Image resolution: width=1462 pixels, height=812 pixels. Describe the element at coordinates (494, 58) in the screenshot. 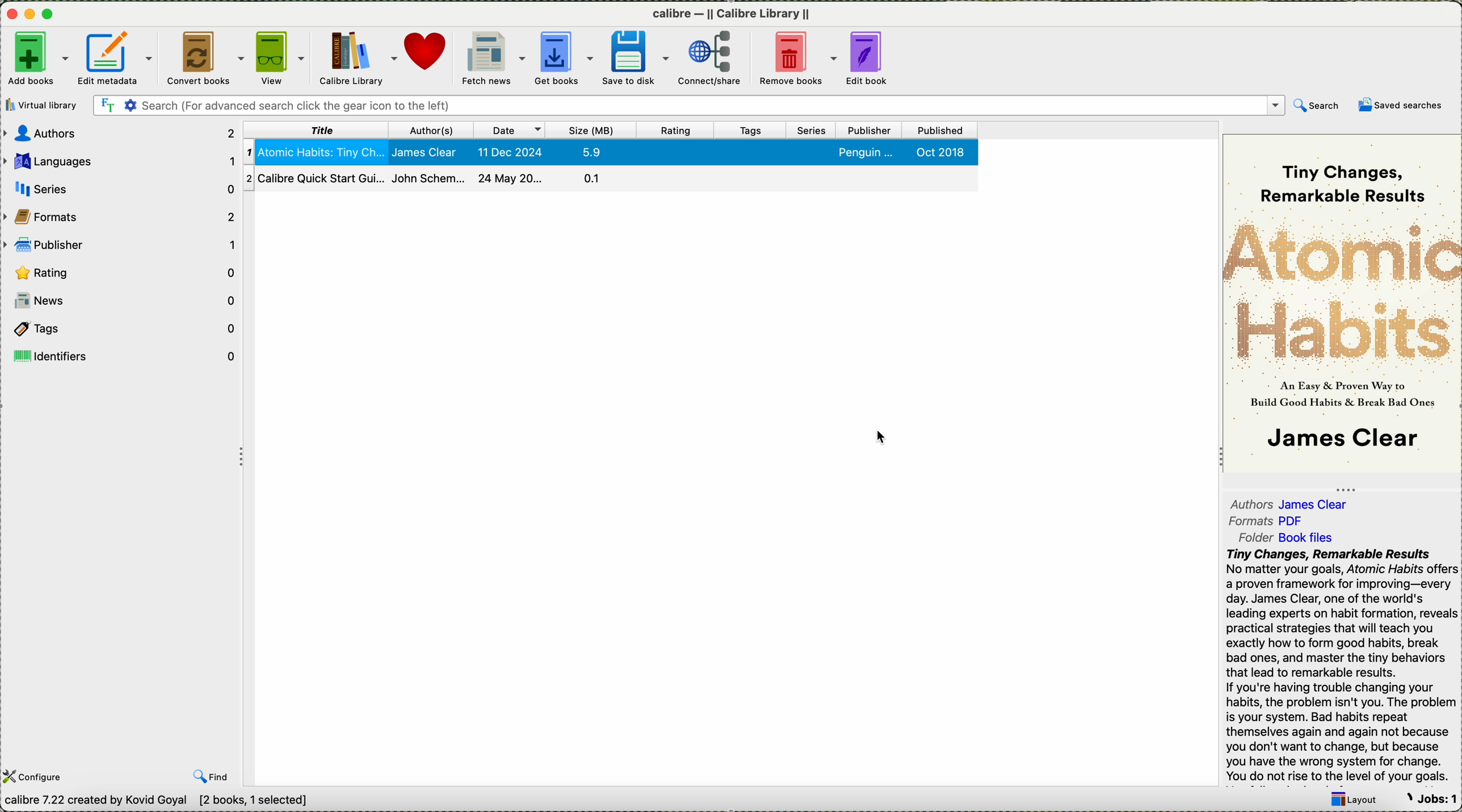

I see `fetch news` at that location.